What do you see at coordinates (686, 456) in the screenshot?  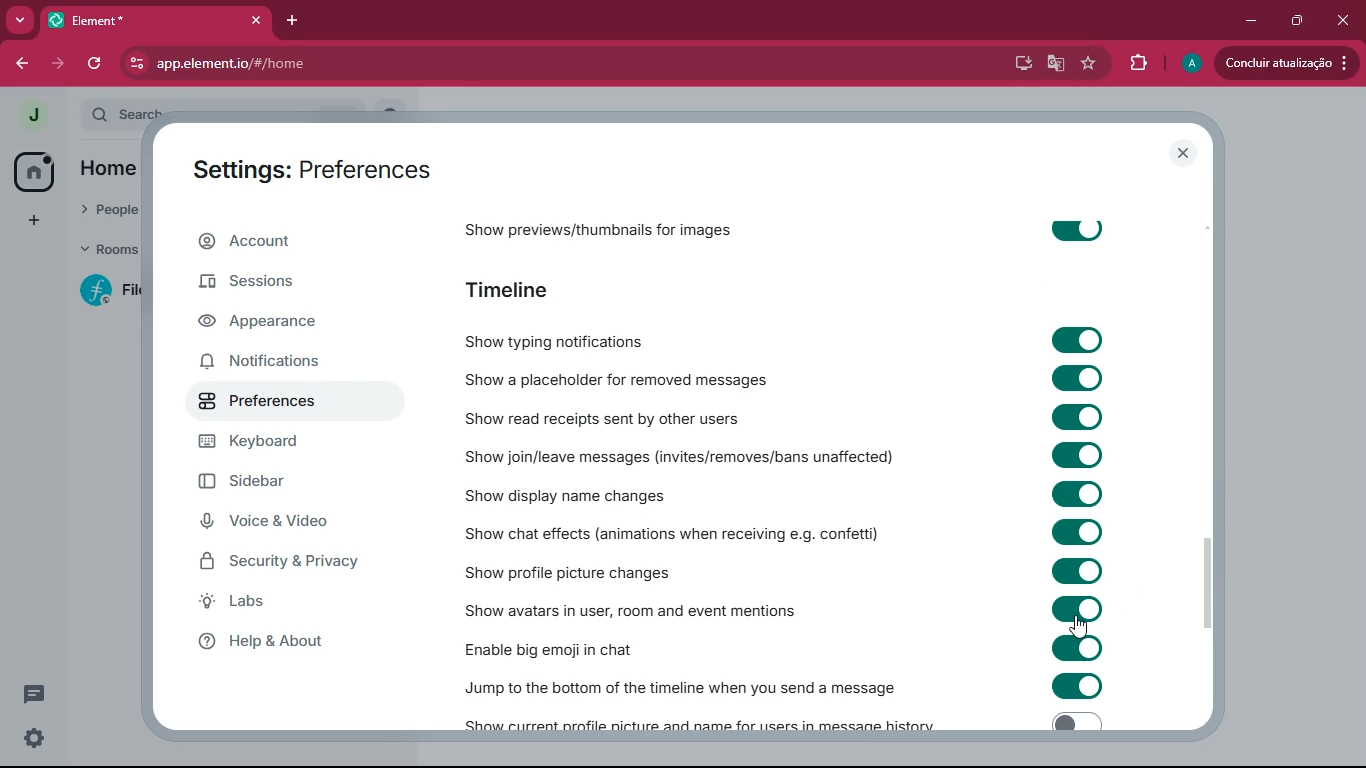 I see `show join / leave messages (invites/removes/ban unaffected)` at bounding box center [686, 456].